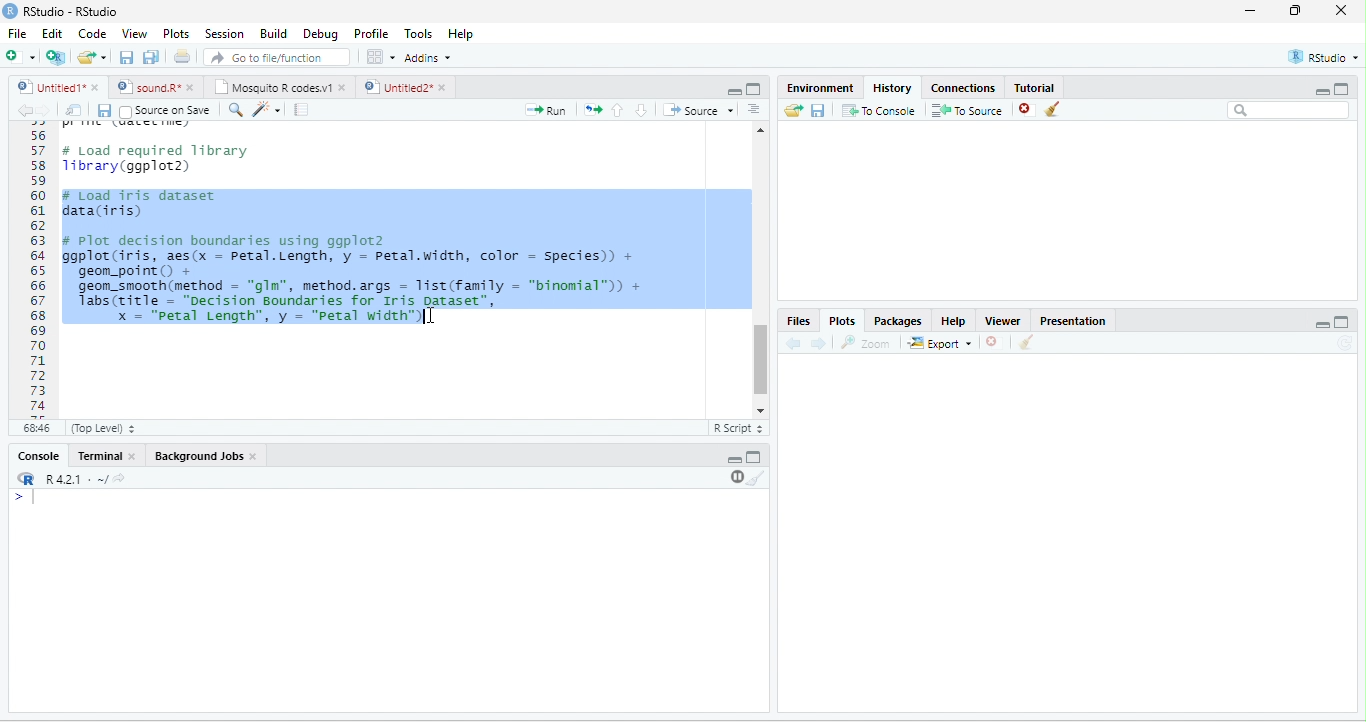 This screenshot has width=1366, height=722. What do you see at coordinates (138, 202) in the screenshot?
I see `# Load iris dataset data(iris)` at bounding box center [138, 202].